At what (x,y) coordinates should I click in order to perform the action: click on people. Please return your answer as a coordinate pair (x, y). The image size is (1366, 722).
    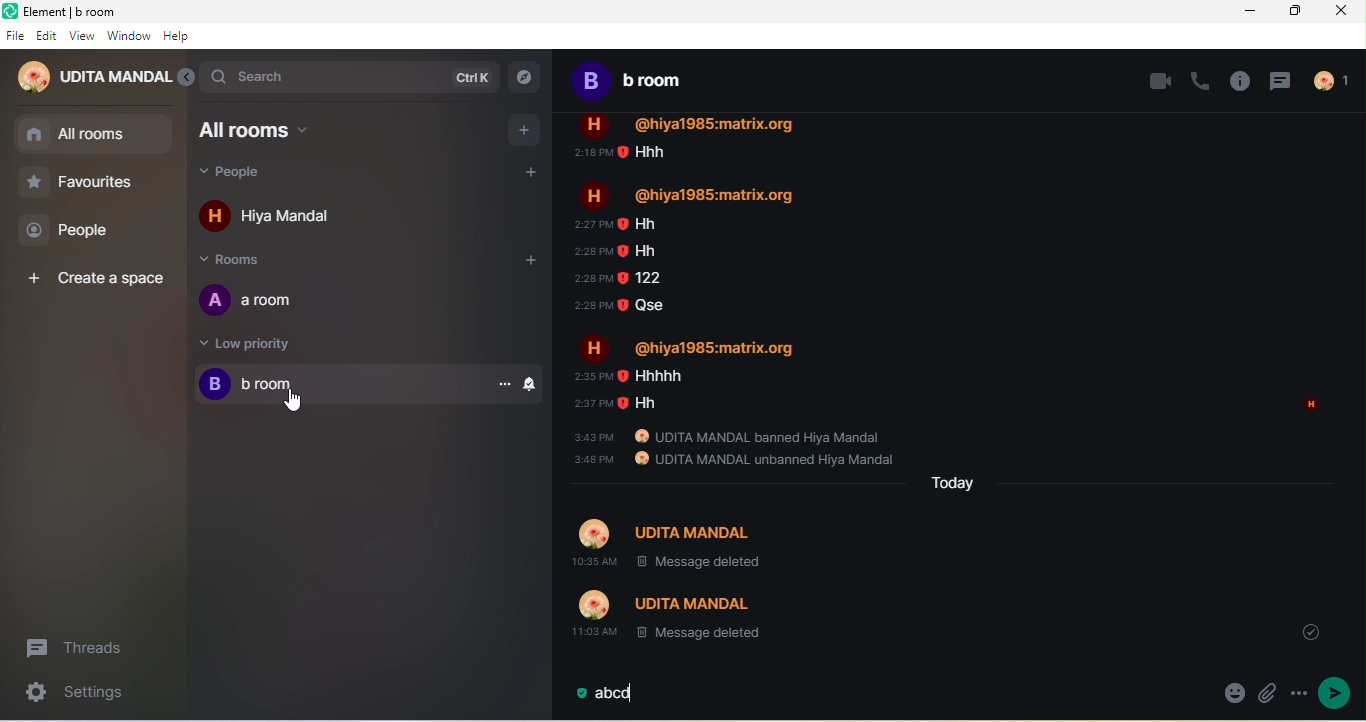
    Looking at the image, I should click on (75, 233).